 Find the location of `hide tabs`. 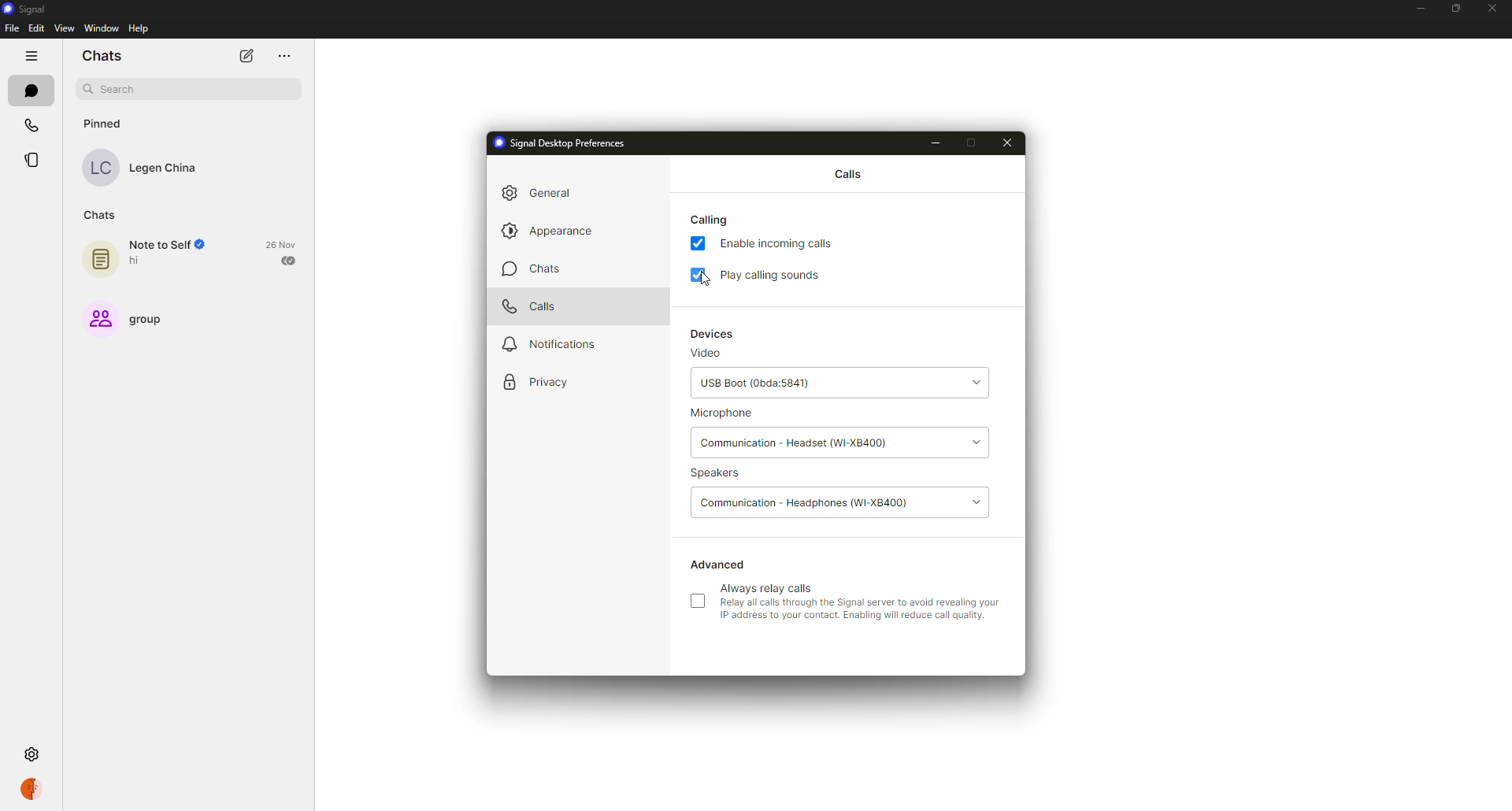

hide tabs is located at coordinates (30, 54).